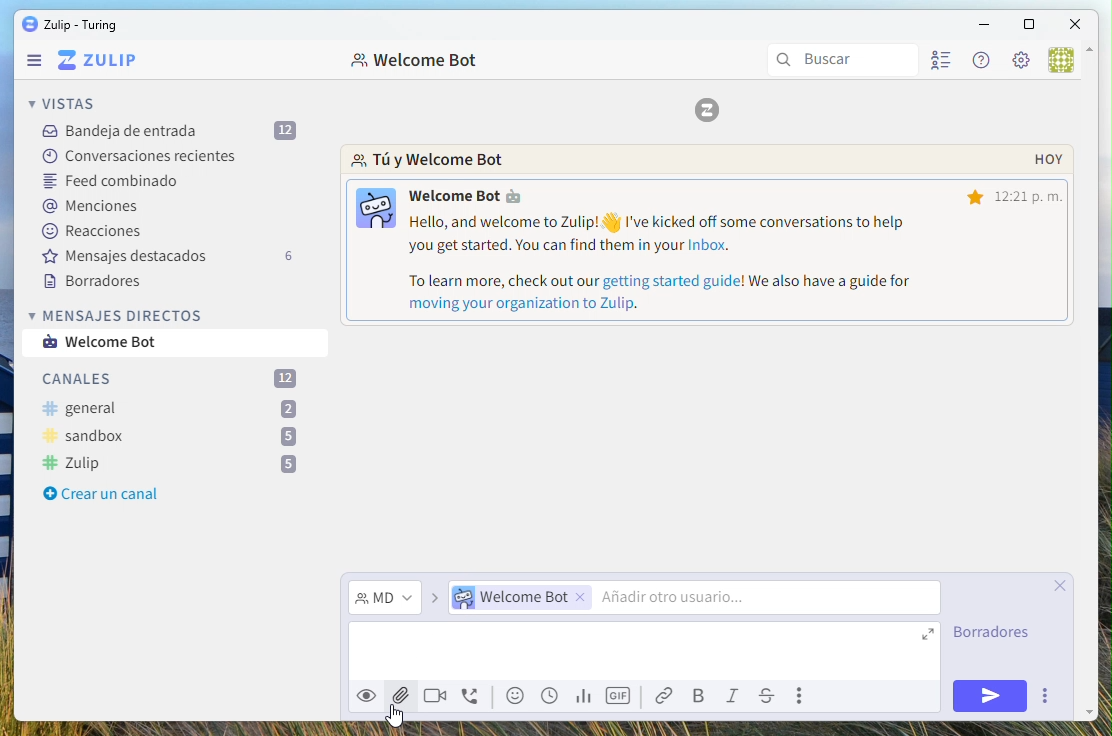 This screenshot has height=736, width=1112. What do you see at coordinates (997, 635) in the screenshot?
I see `Draftss` at bounding box center [997, 635].